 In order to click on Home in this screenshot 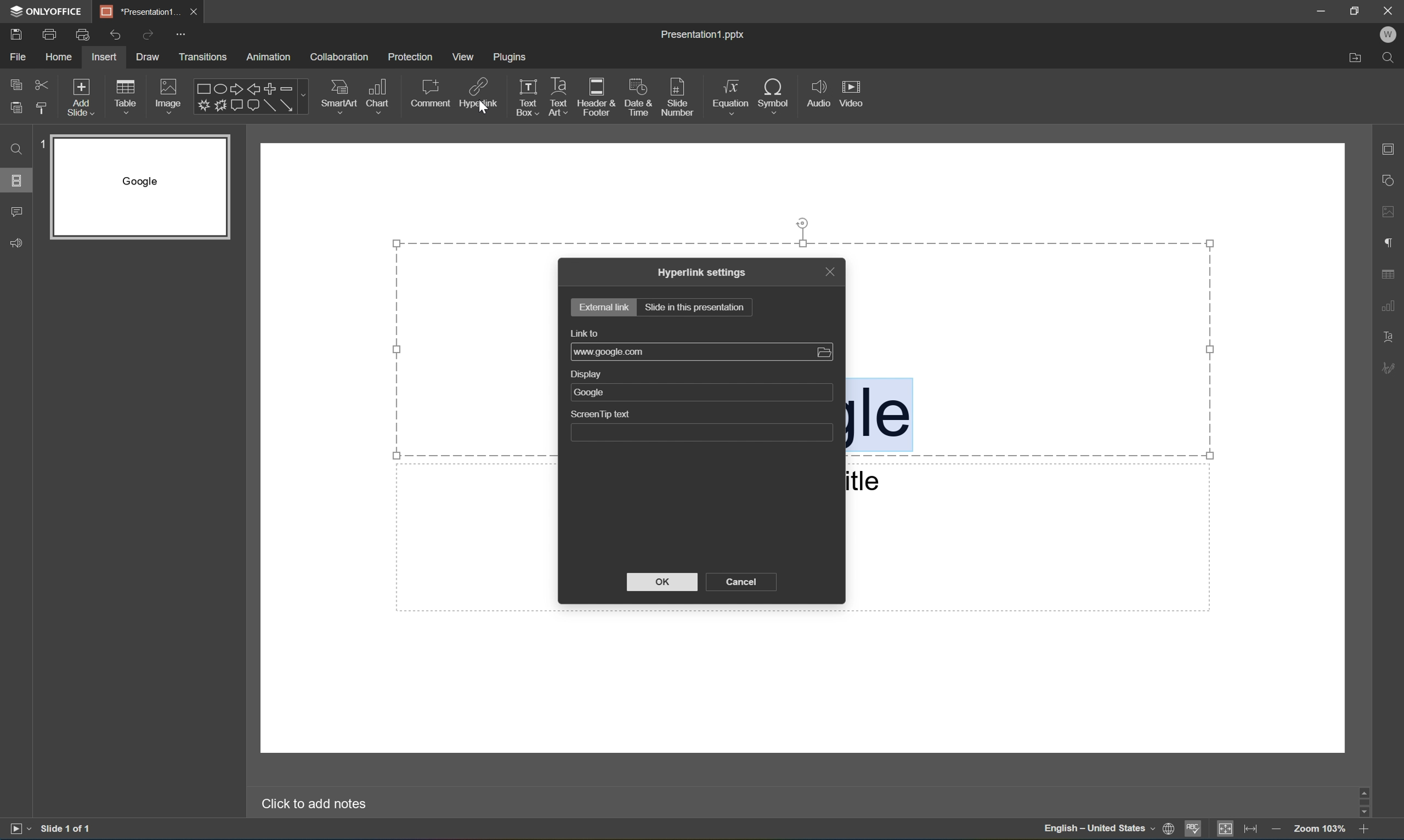, I will do `click(61, 57)`.